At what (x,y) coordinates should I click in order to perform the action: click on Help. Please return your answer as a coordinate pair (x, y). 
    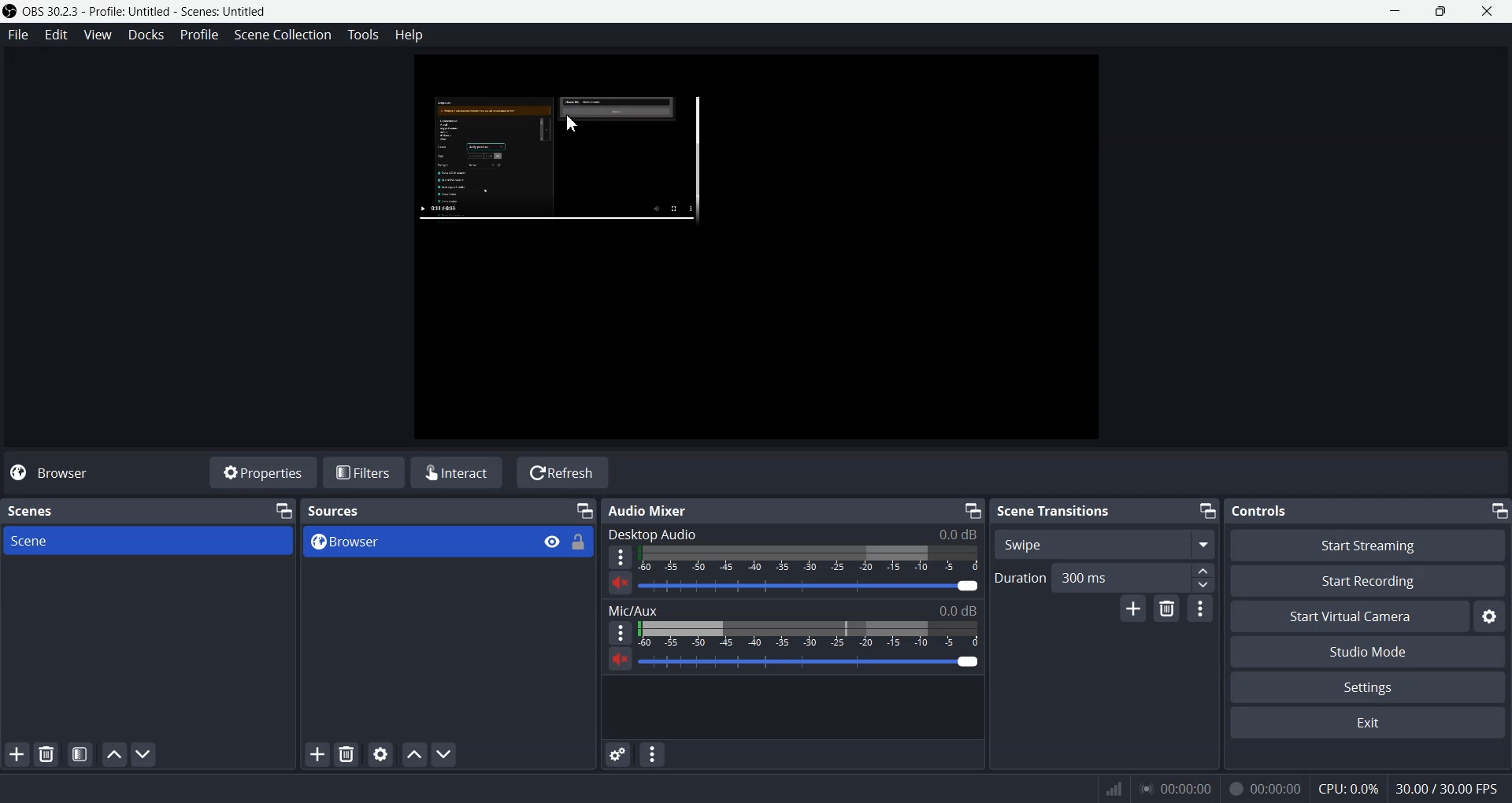
    Looking at the image, I should click on (409, 37).